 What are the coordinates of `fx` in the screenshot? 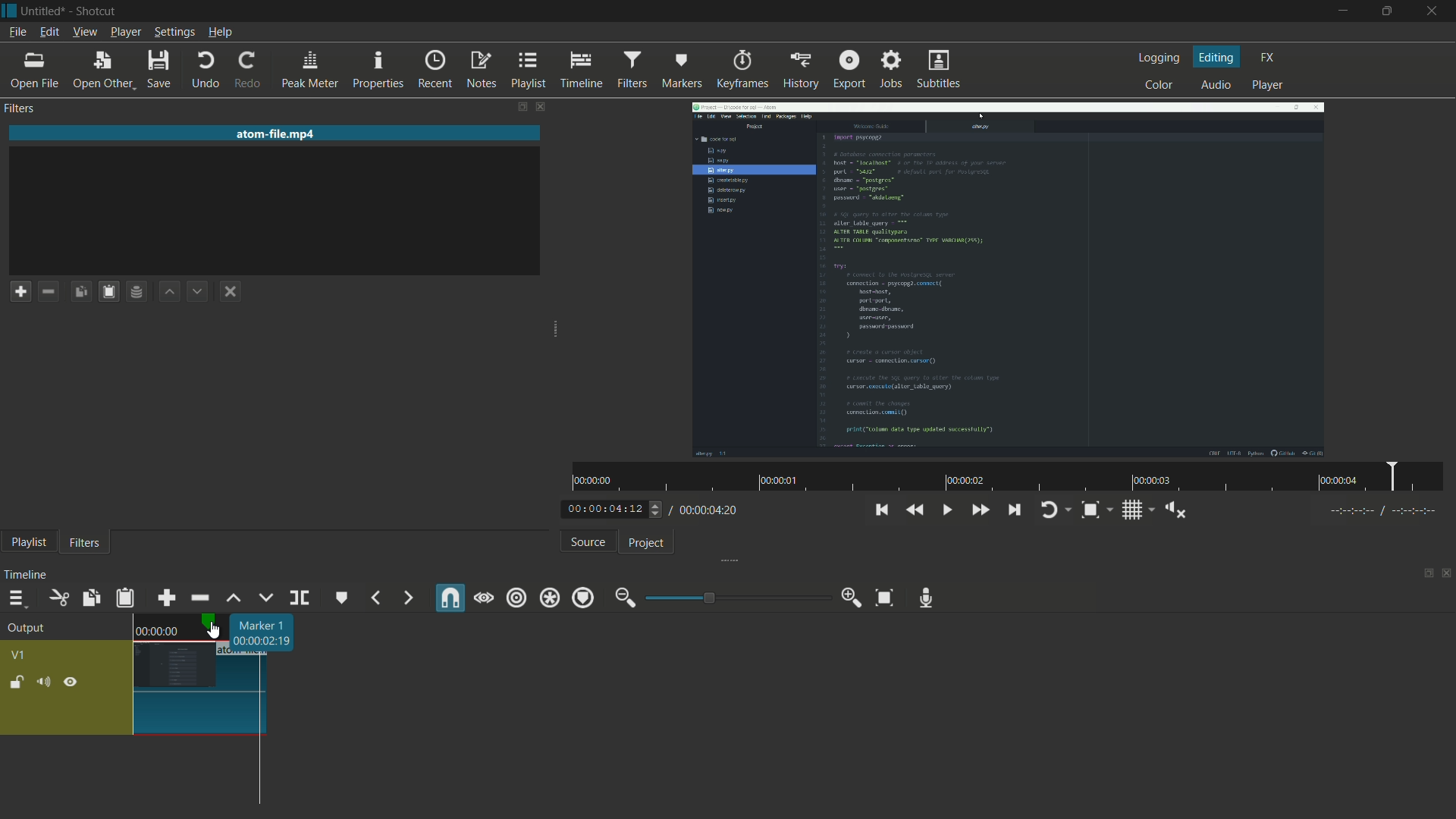 It's located at (1266, 58).